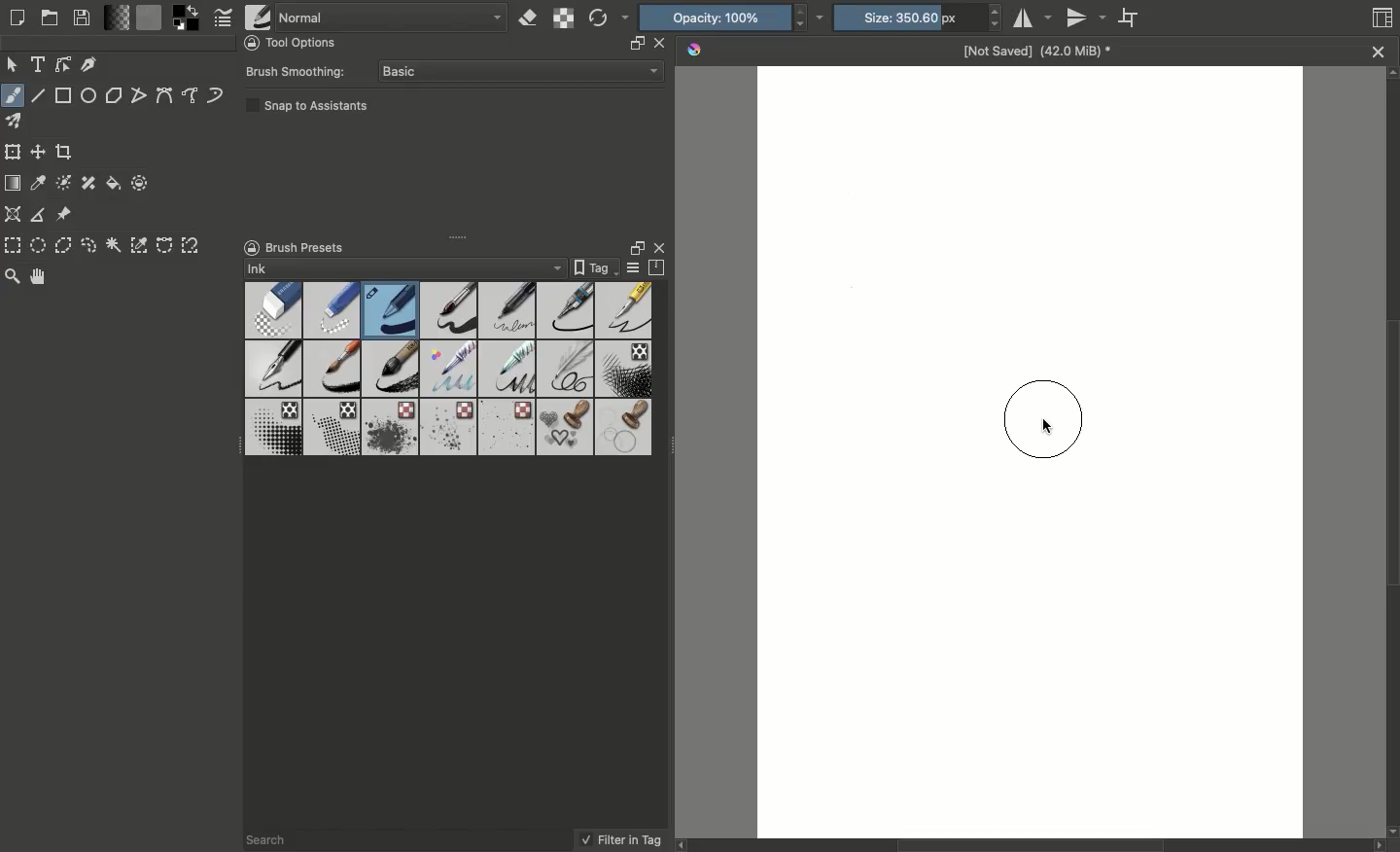 This screenshot has width=1400, height=852. Describe the element at coordinates (532, 18) in the screenshot. I see `Set eraser mode` at that location.